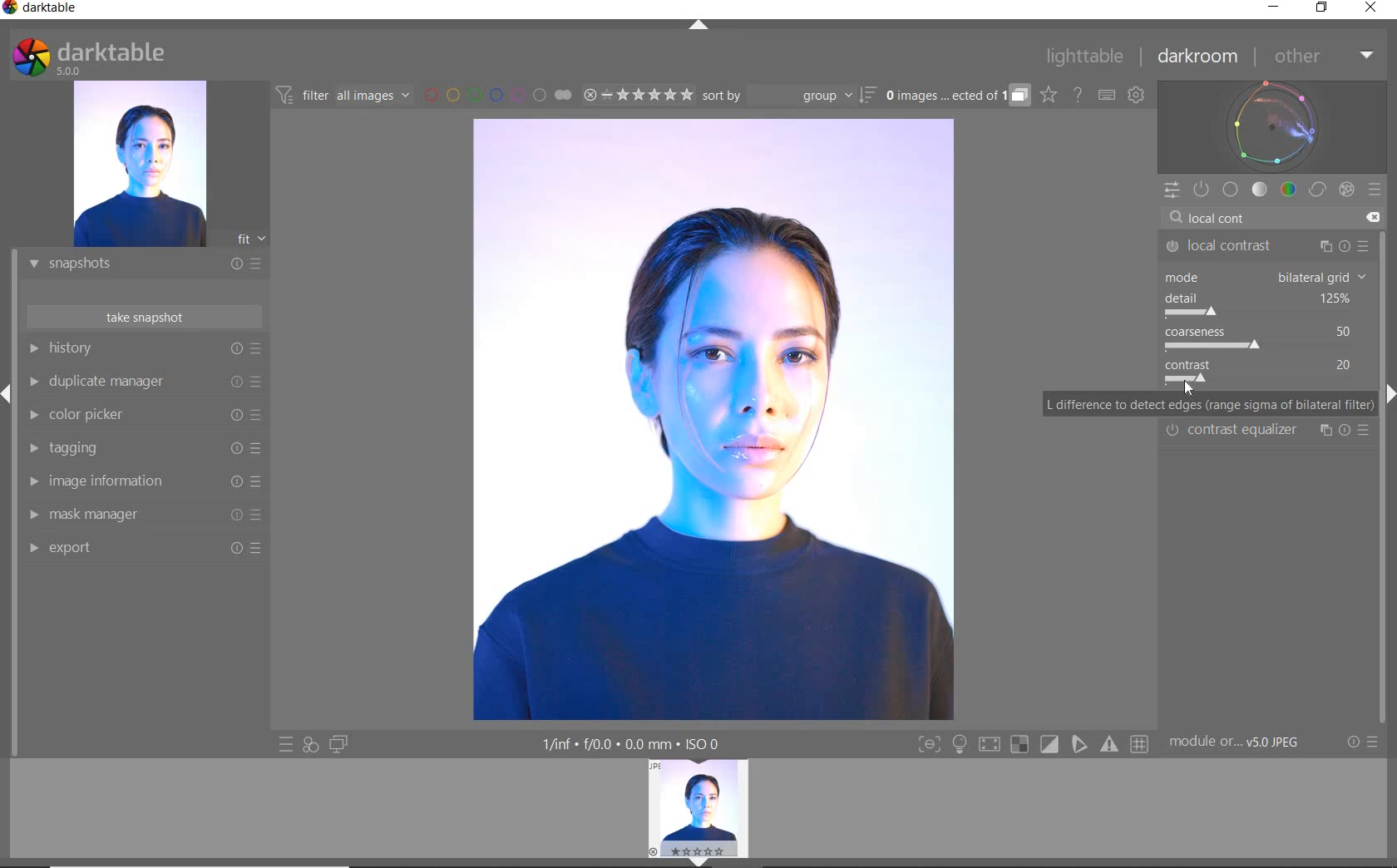  What do you see at coordinates (628, 744) in the screenshot?
I see `DISPLAYED GUI INFO` at bounding box center [628, 744].